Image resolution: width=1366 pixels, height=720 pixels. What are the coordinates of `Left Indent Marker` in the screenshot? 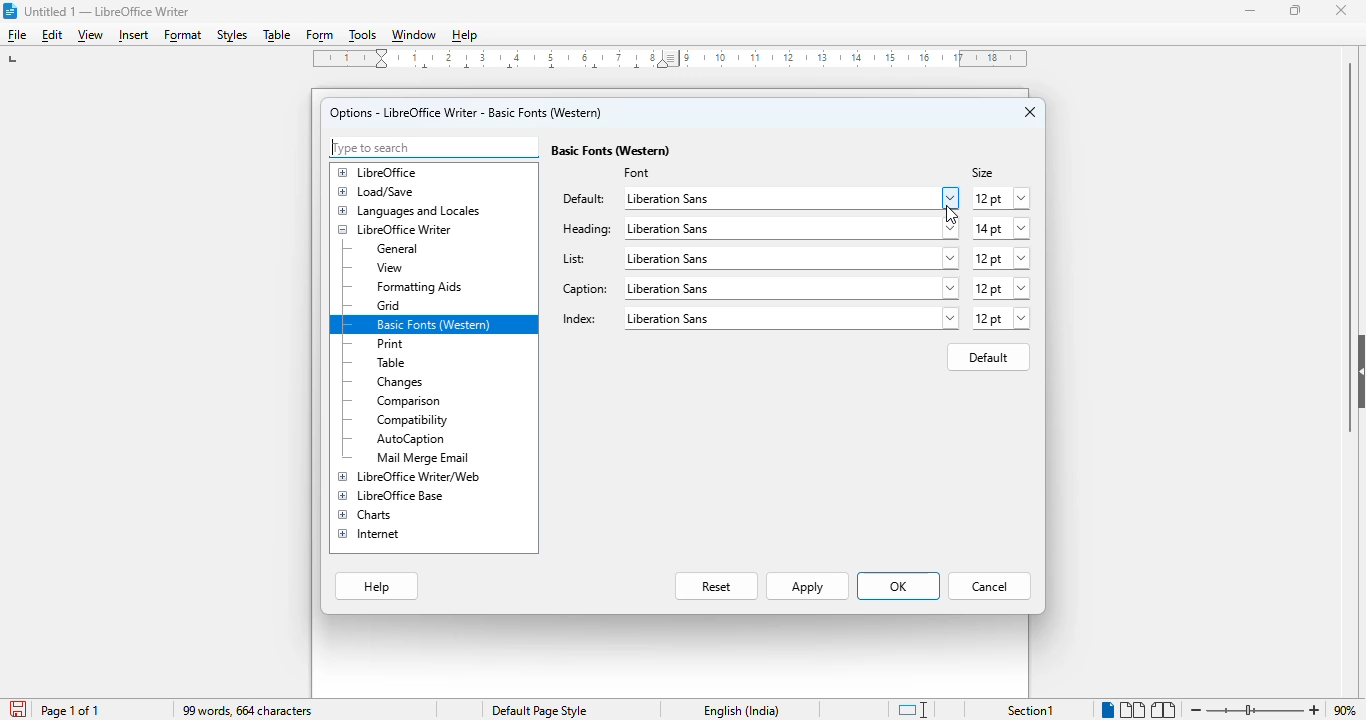 It's located at (674, 59).